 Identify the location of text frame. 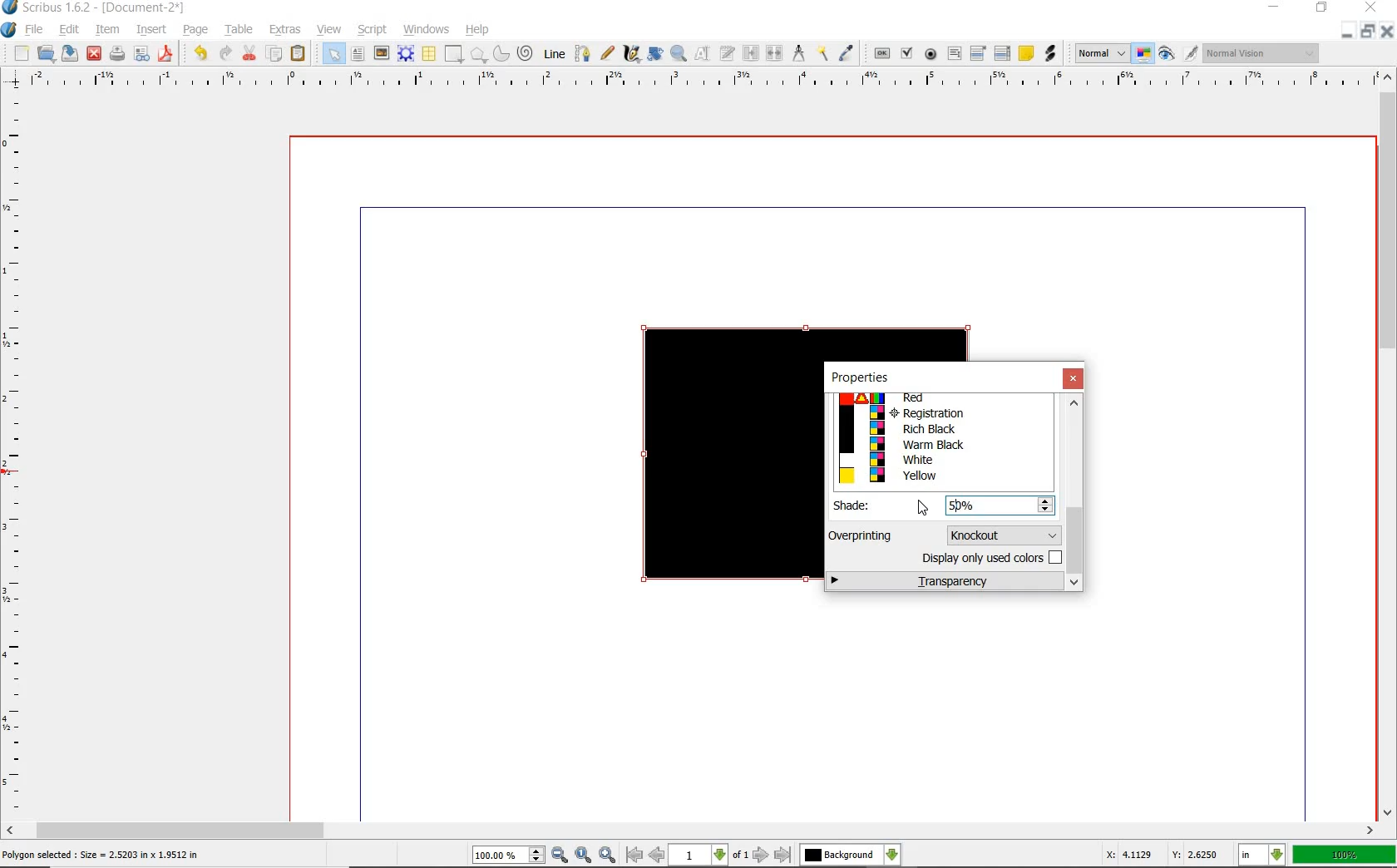
(360, 53).